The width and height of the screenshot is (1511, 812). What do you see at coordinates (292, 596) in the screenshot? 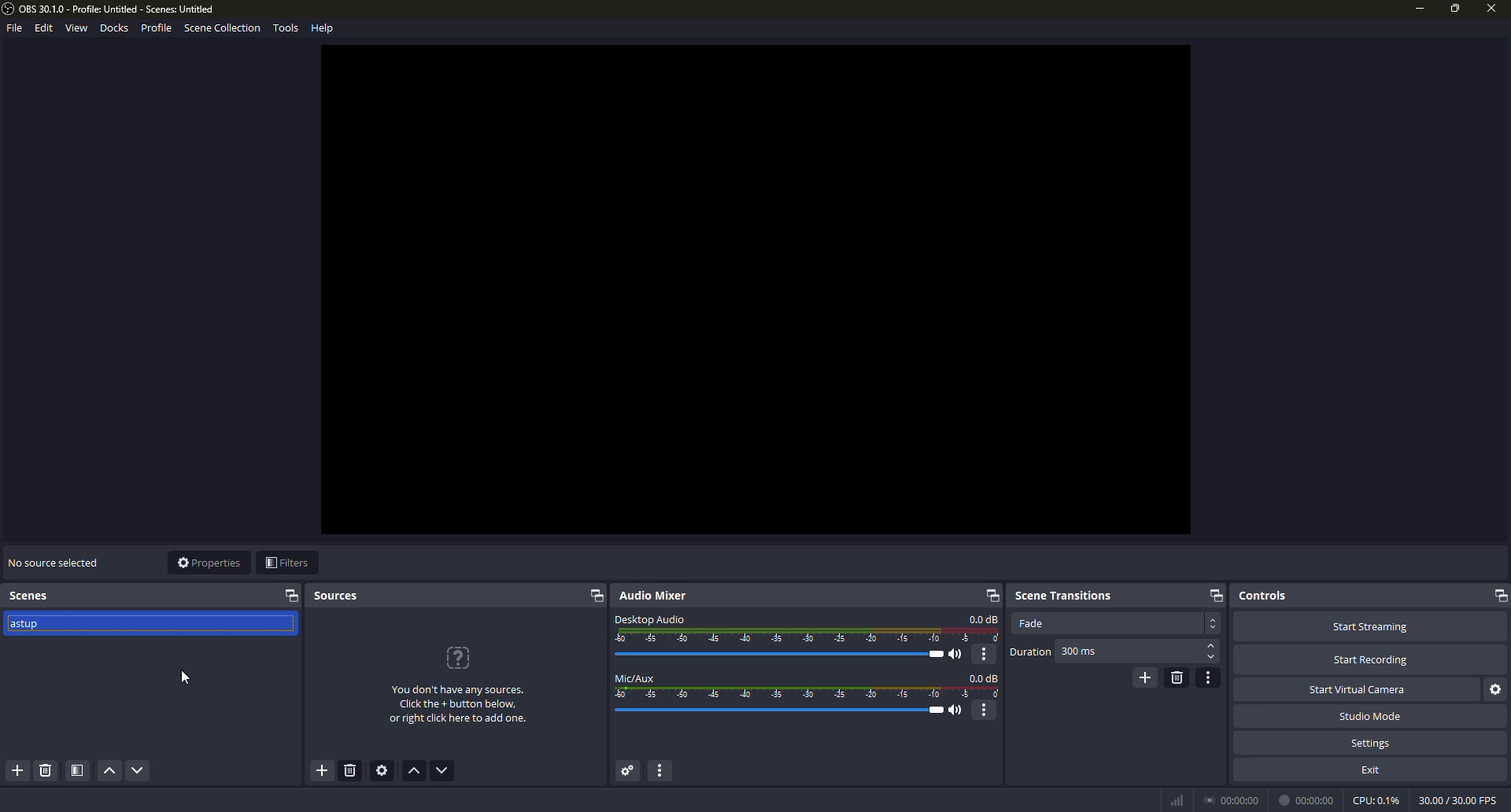
I see `expand` at bounding box center [292, 596].